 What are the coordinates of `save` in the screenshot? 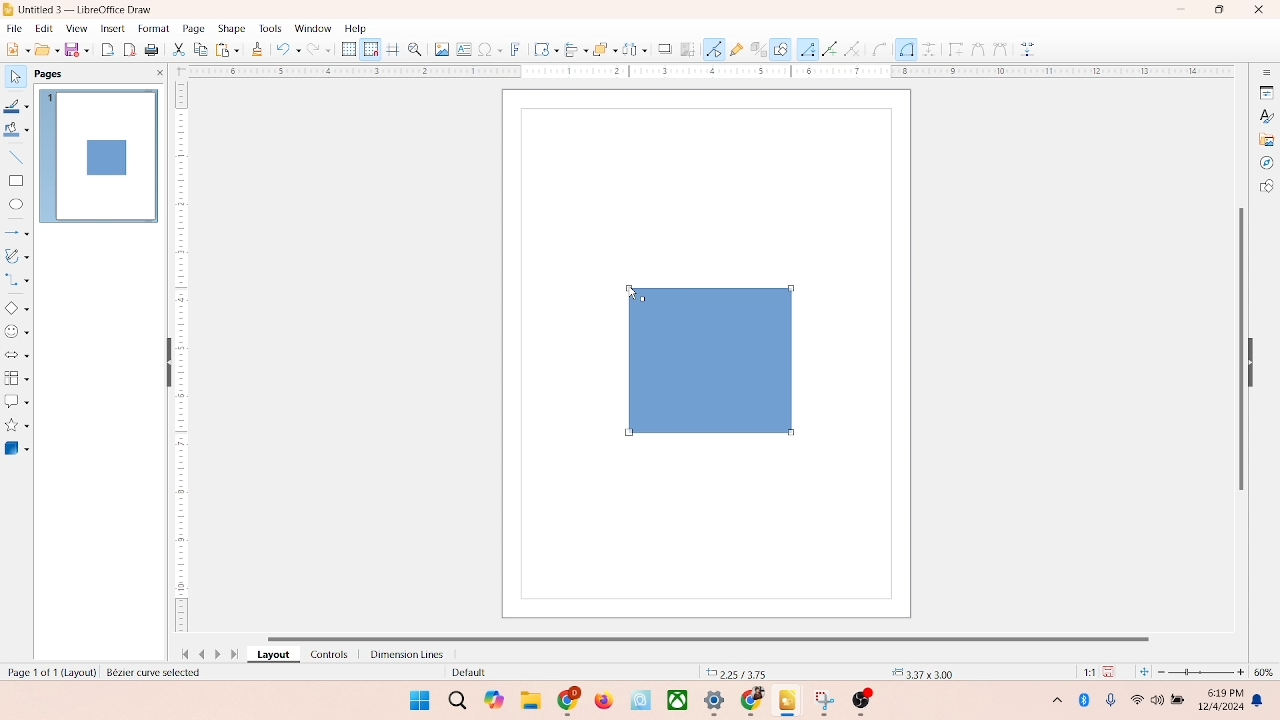 It's located at (79, 49).